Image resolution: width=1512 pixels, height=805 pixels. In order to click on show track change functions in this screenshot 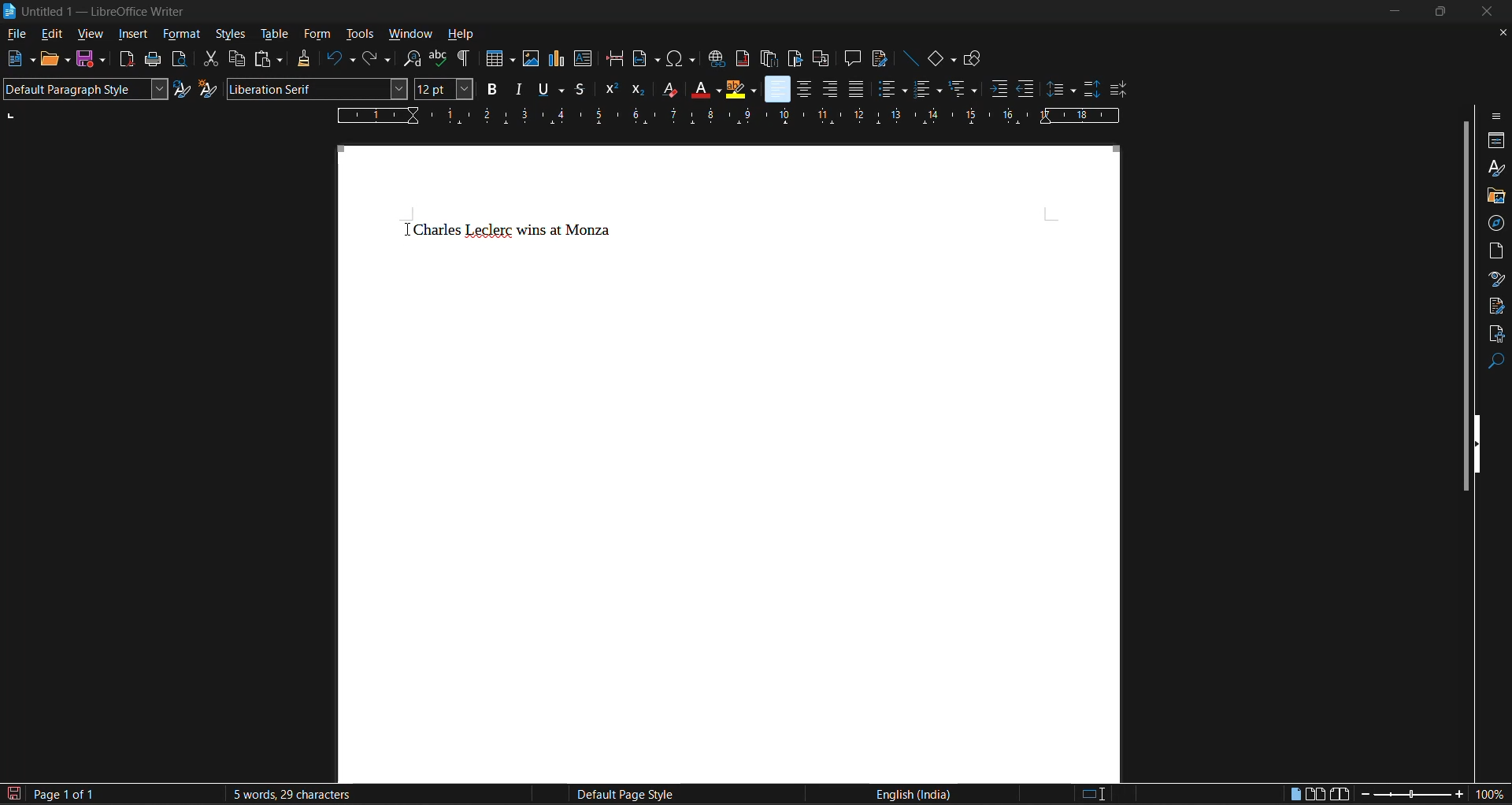, I will do `click(878, 58)`.